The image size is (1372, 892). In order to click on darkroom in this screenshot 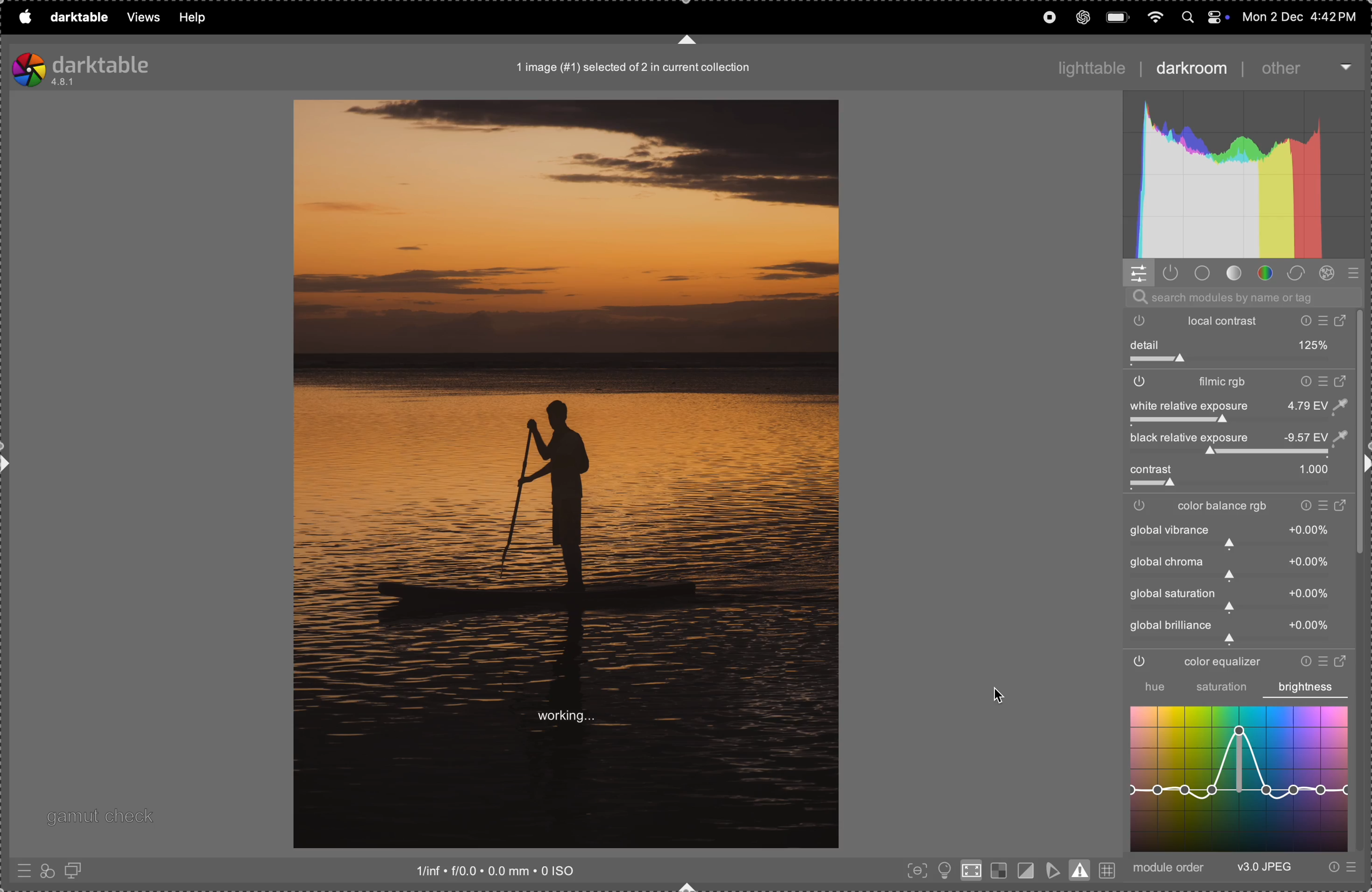, I will do `click(1190, 70)`.